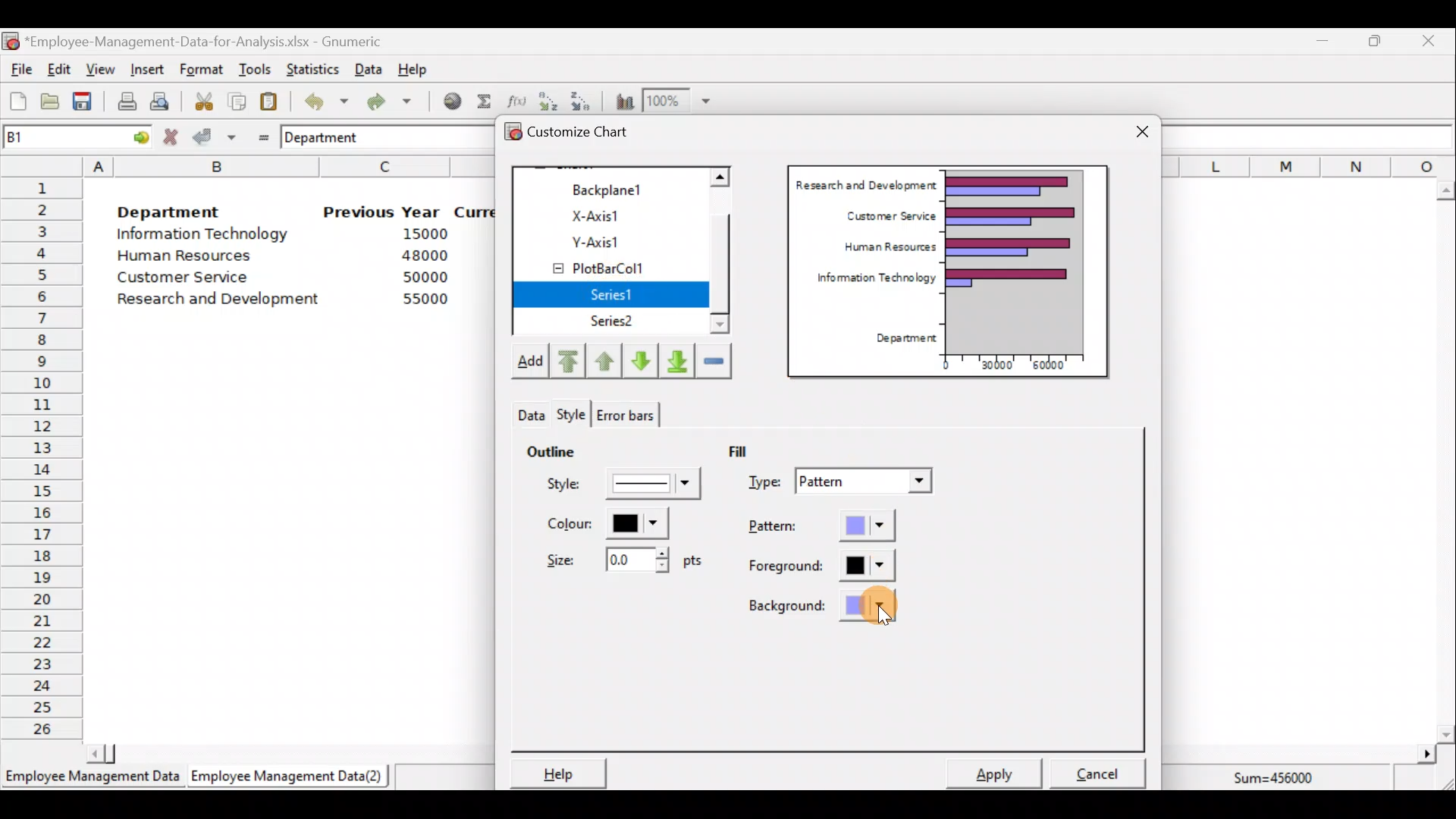 The image size is (1456, 819). I want to click on Pattern, so click(836, 527).